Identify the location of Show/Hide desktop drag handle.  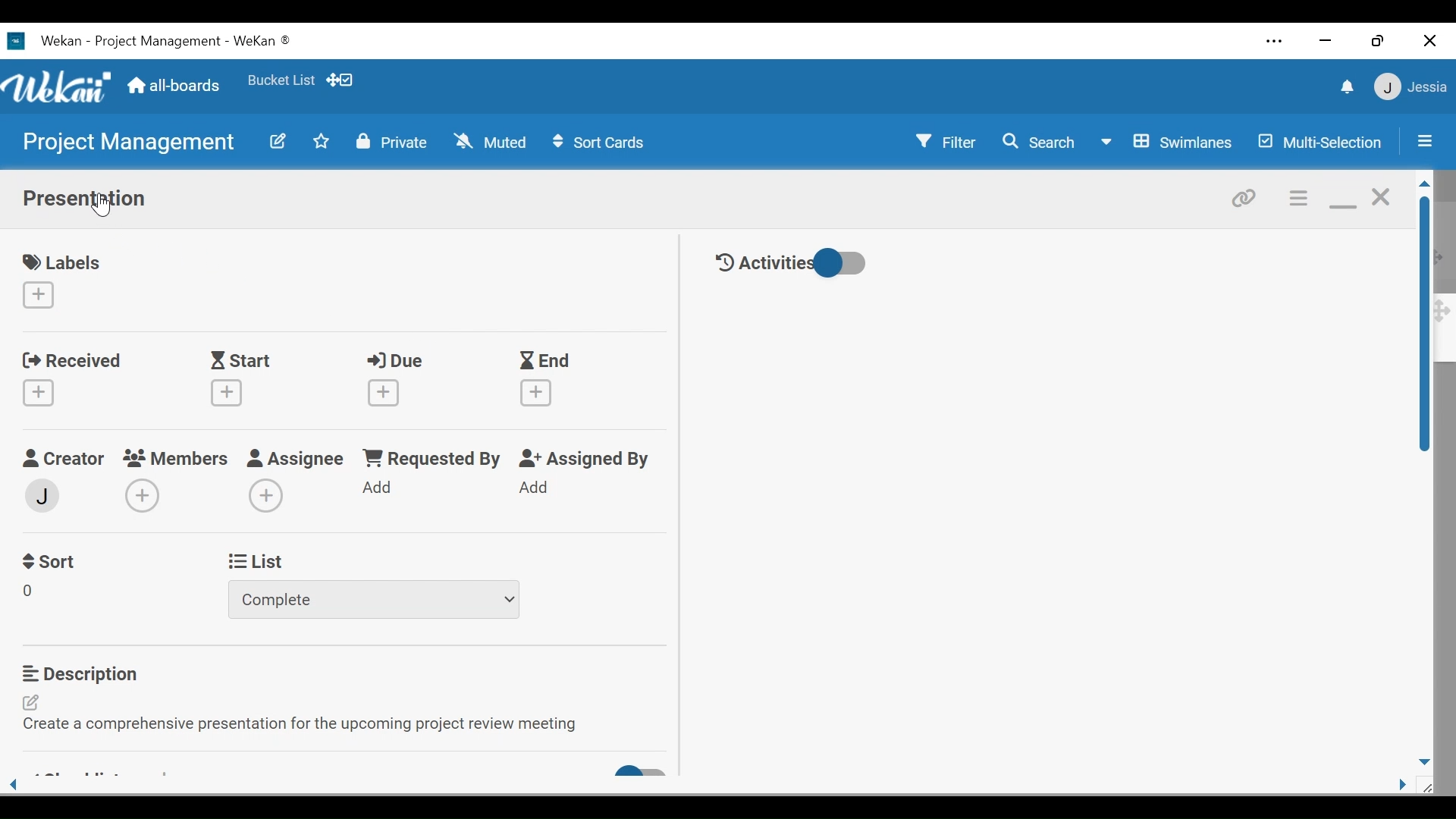
(339, 80).